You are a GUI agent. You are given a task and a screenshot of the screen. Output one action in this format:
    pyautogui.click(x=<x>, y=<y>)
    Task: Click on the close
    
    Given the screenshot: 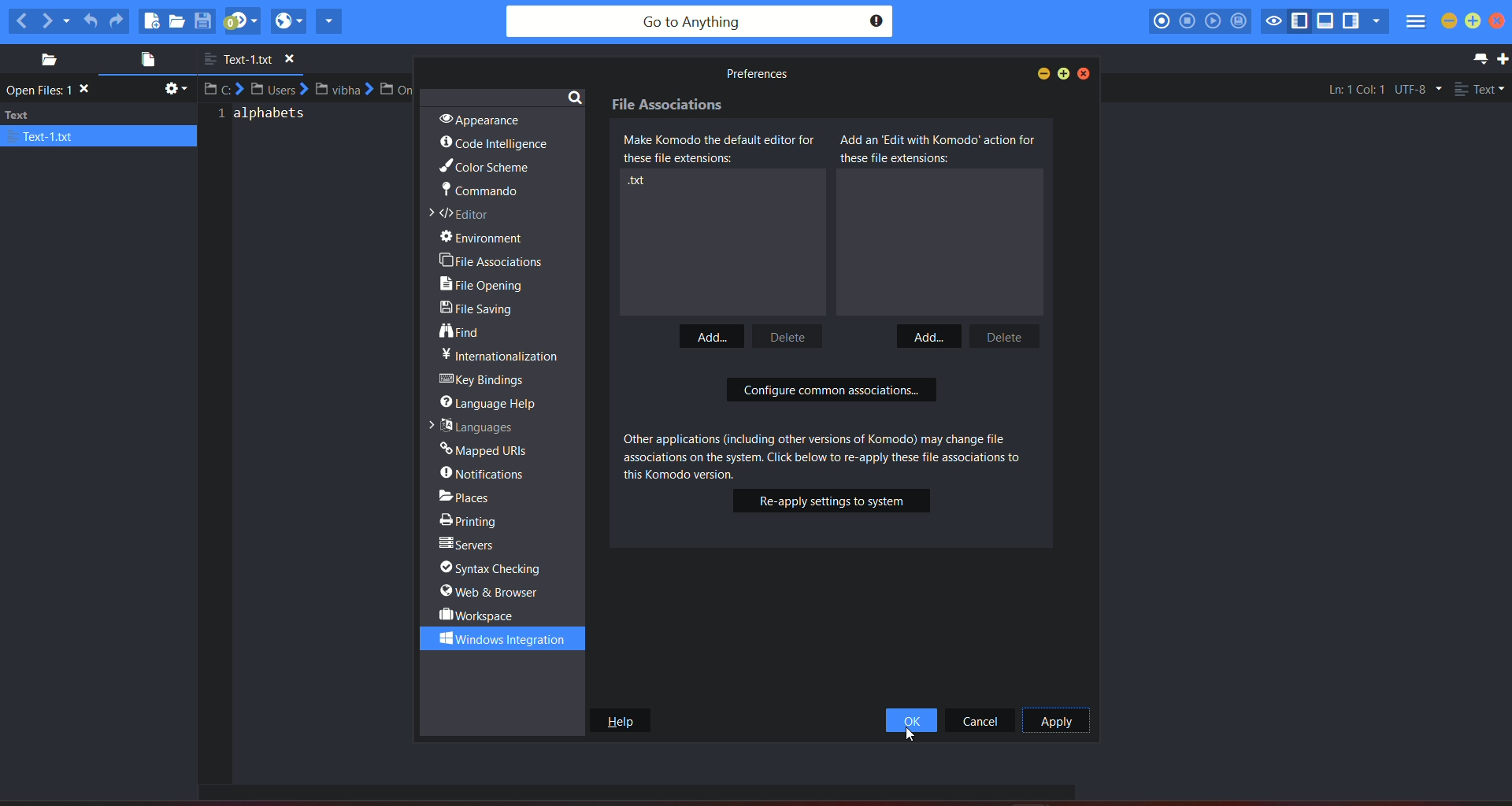 What is the action you would take?
    pyautogui.click(x=1085, y=73)
    